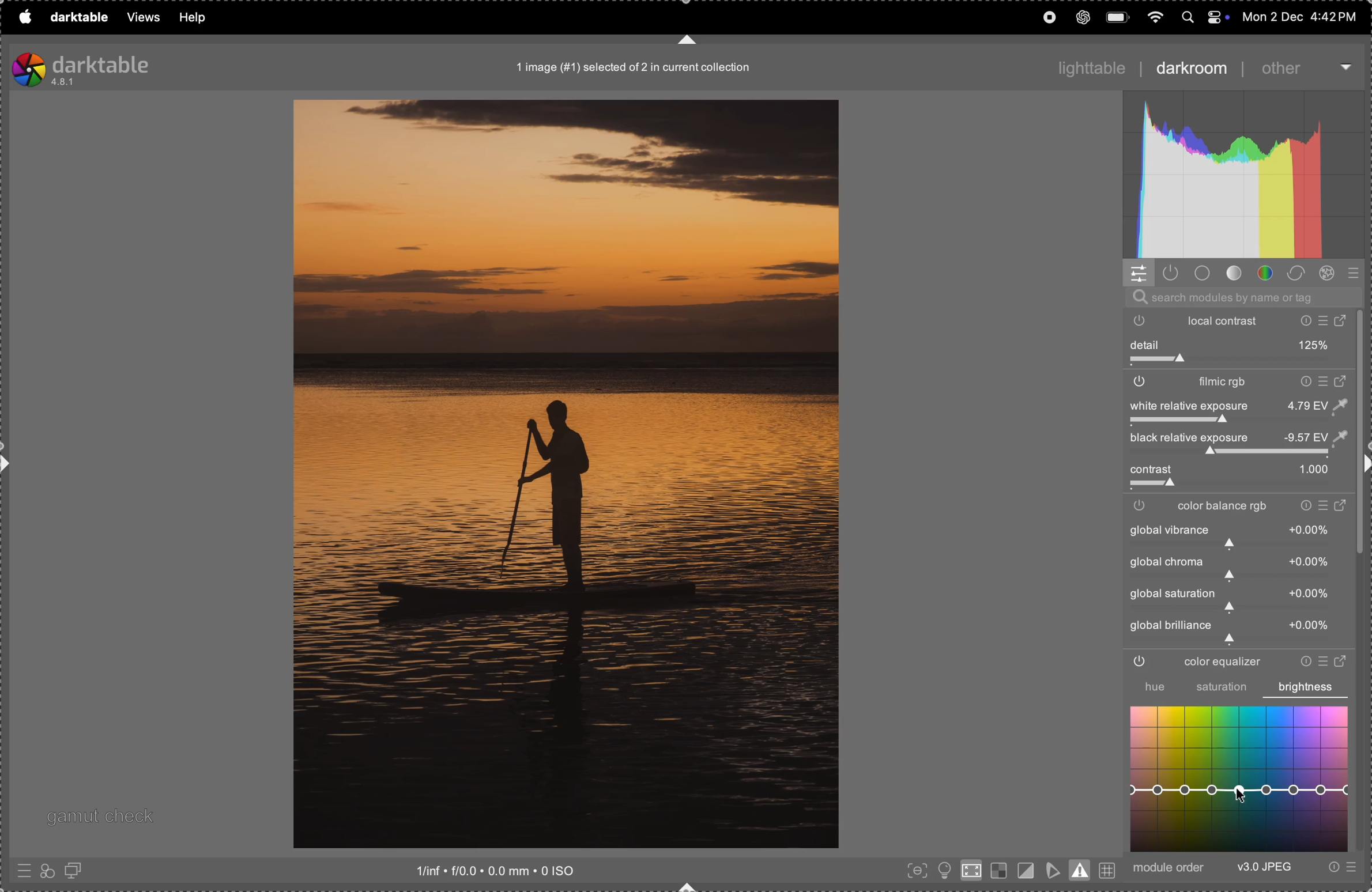 The image size is (1372, 892). What do you see at coordinates (1306, 687) in the screenshot?
I see `brightness` at bounding box center [1306, 687].